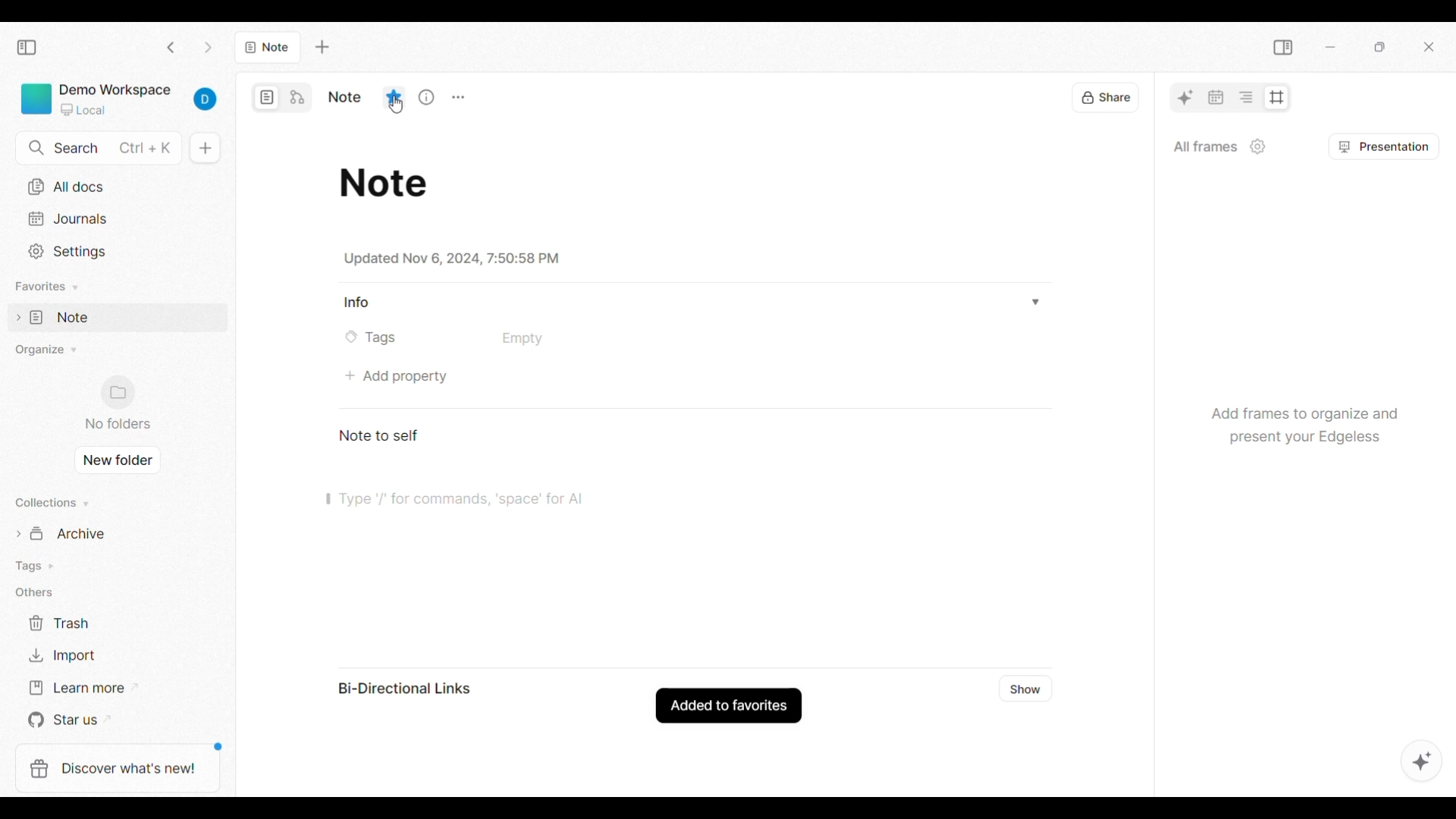 This screenshot has height=819, width=1456. Describe the element at coordinates (1216, 97) in the screenshot. I see `Calendar` at that location.